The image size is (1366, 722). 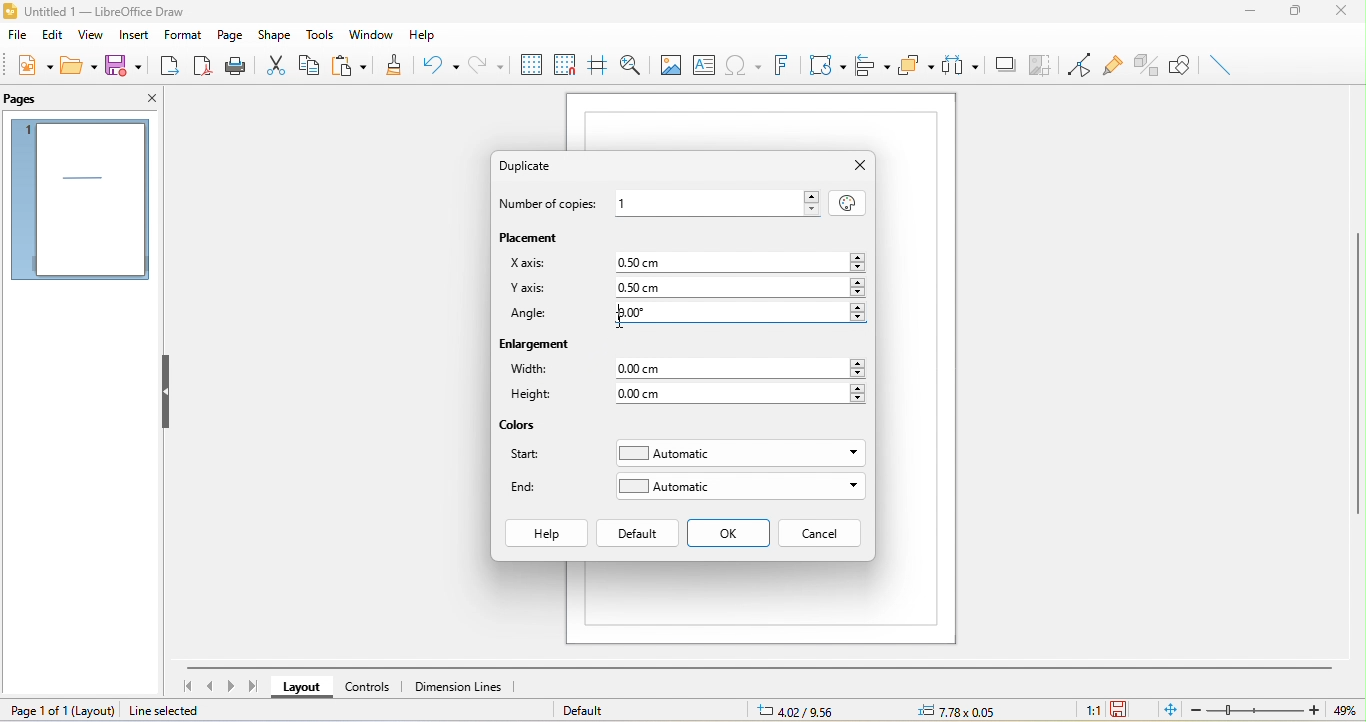 I want to click on title, so click(x=94, y=12).